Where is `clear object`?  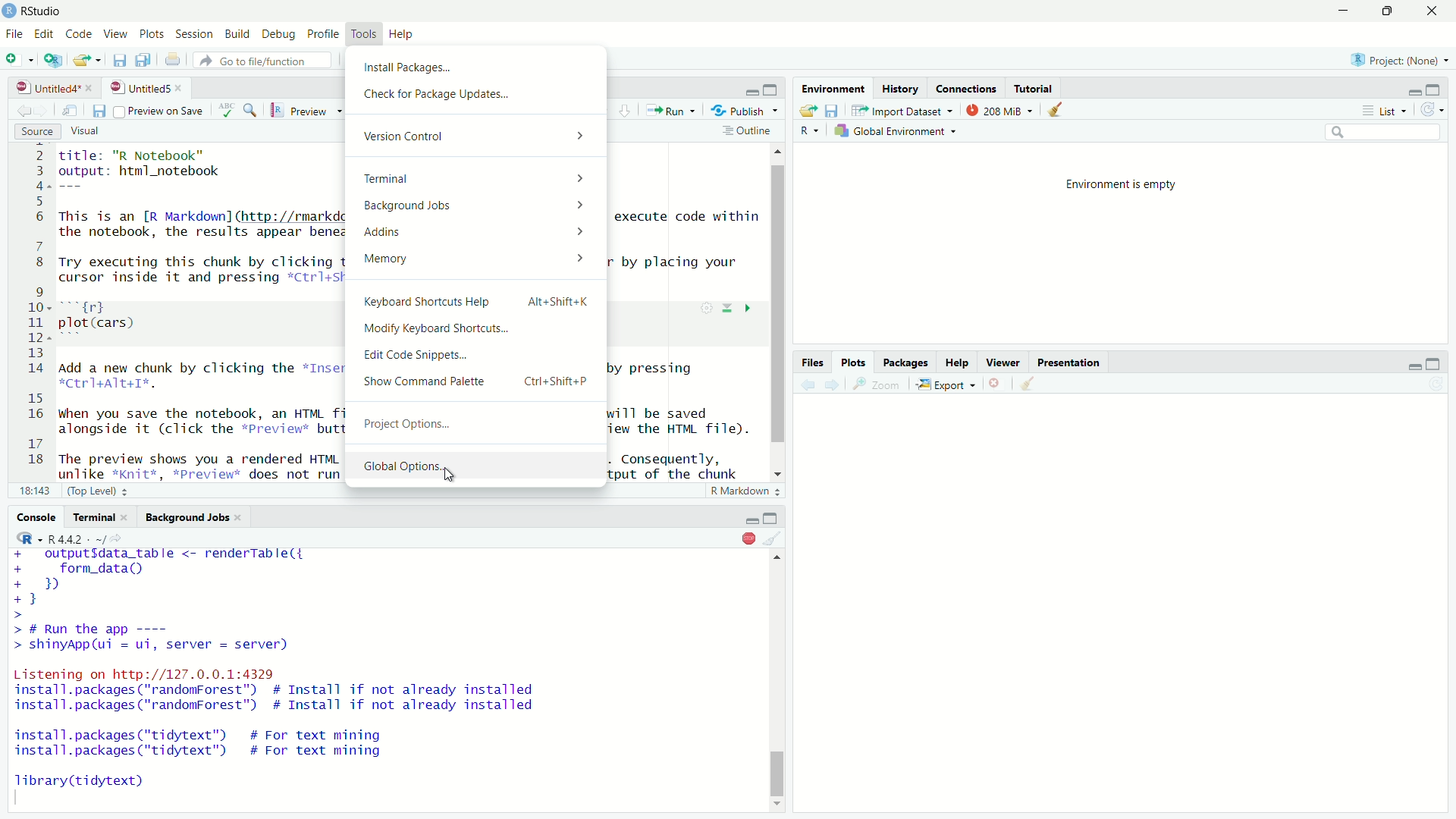
clear object is located at coordinates (773, 538).